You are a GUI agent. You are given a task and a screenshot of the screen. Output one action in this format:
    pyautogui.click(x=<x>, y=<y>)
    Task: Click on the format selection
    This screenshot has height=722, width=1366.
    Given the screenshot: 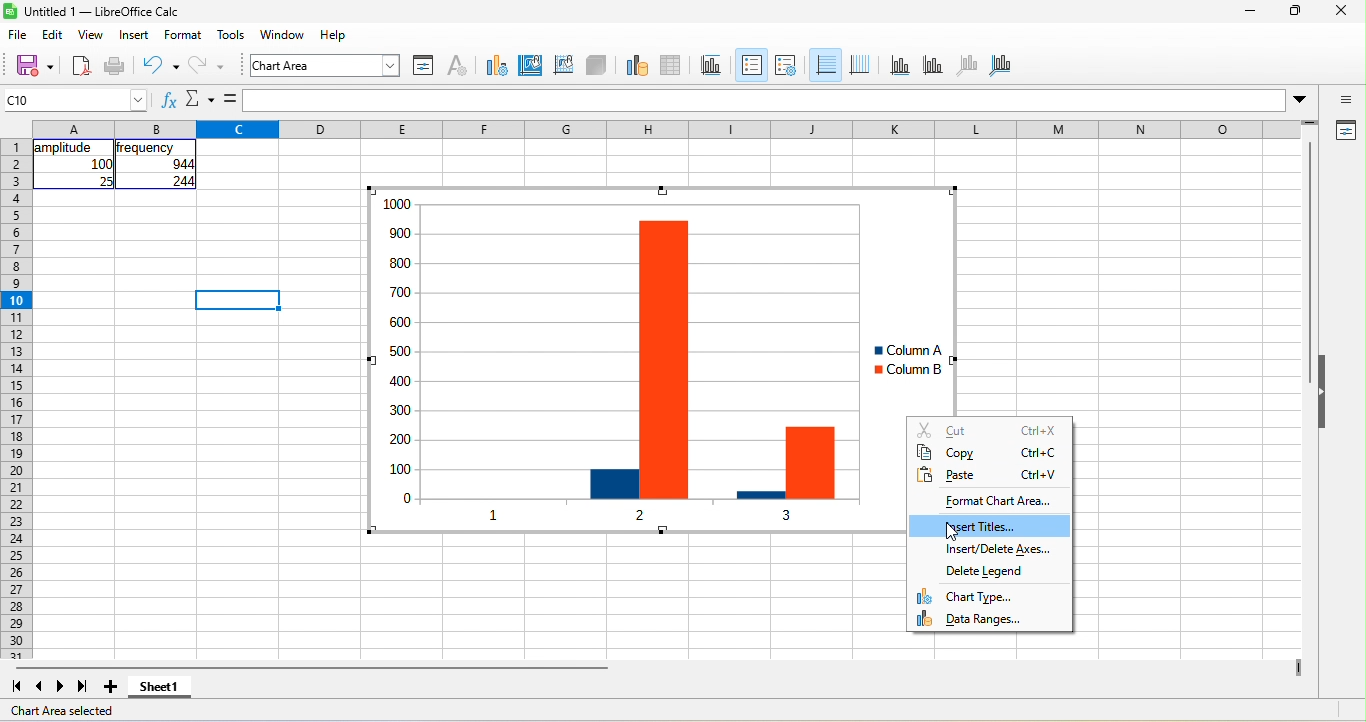 What is the action you would take?
    pyautogui.click(x=424, y=66)
    